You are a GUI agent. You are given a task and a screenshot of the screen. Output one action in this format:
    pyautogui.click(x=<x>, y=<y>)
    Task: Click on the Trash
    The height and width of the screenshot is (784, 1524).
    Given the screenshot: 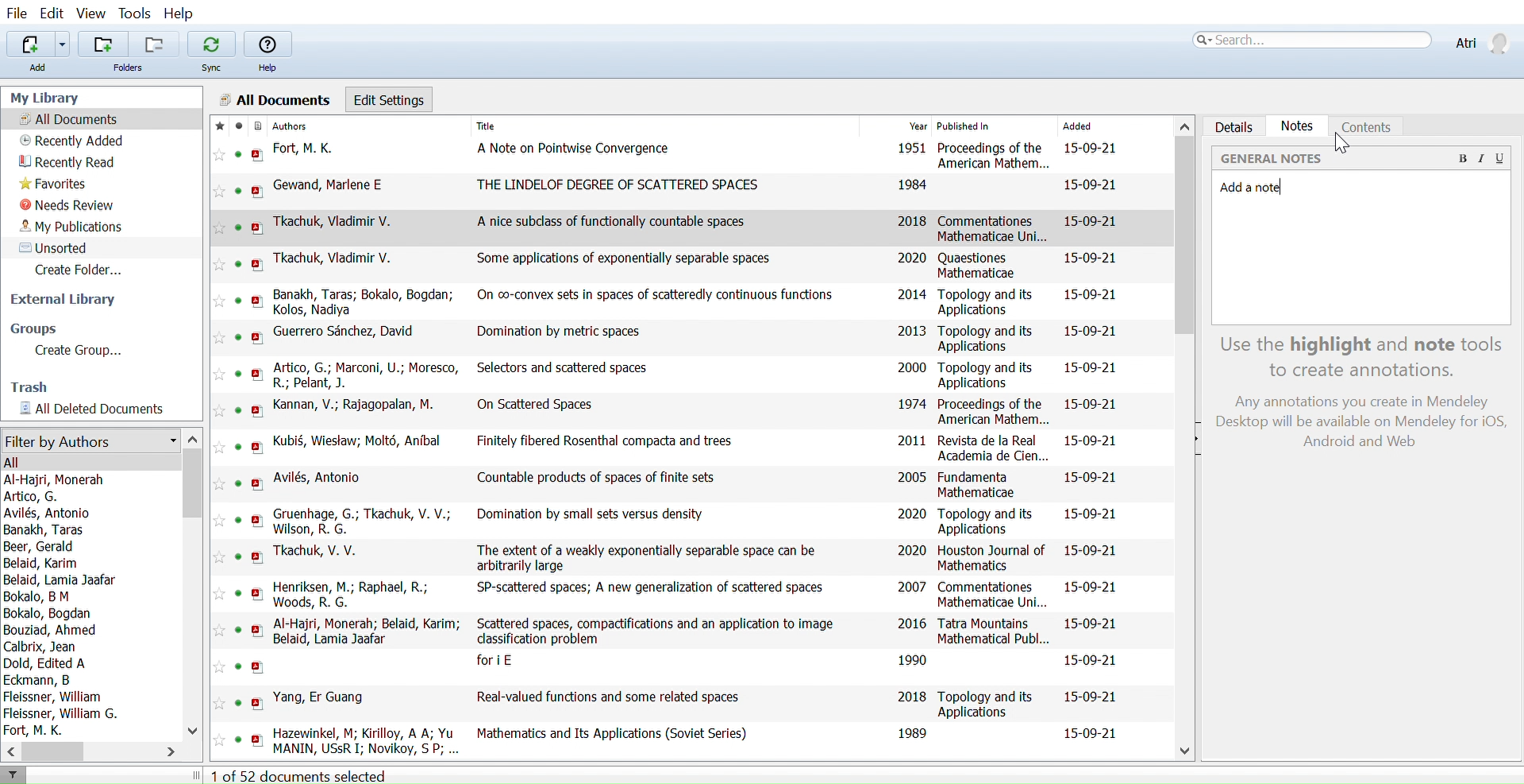 What is the action you would take?
    pyautogui.click(x=37, y=388)
    